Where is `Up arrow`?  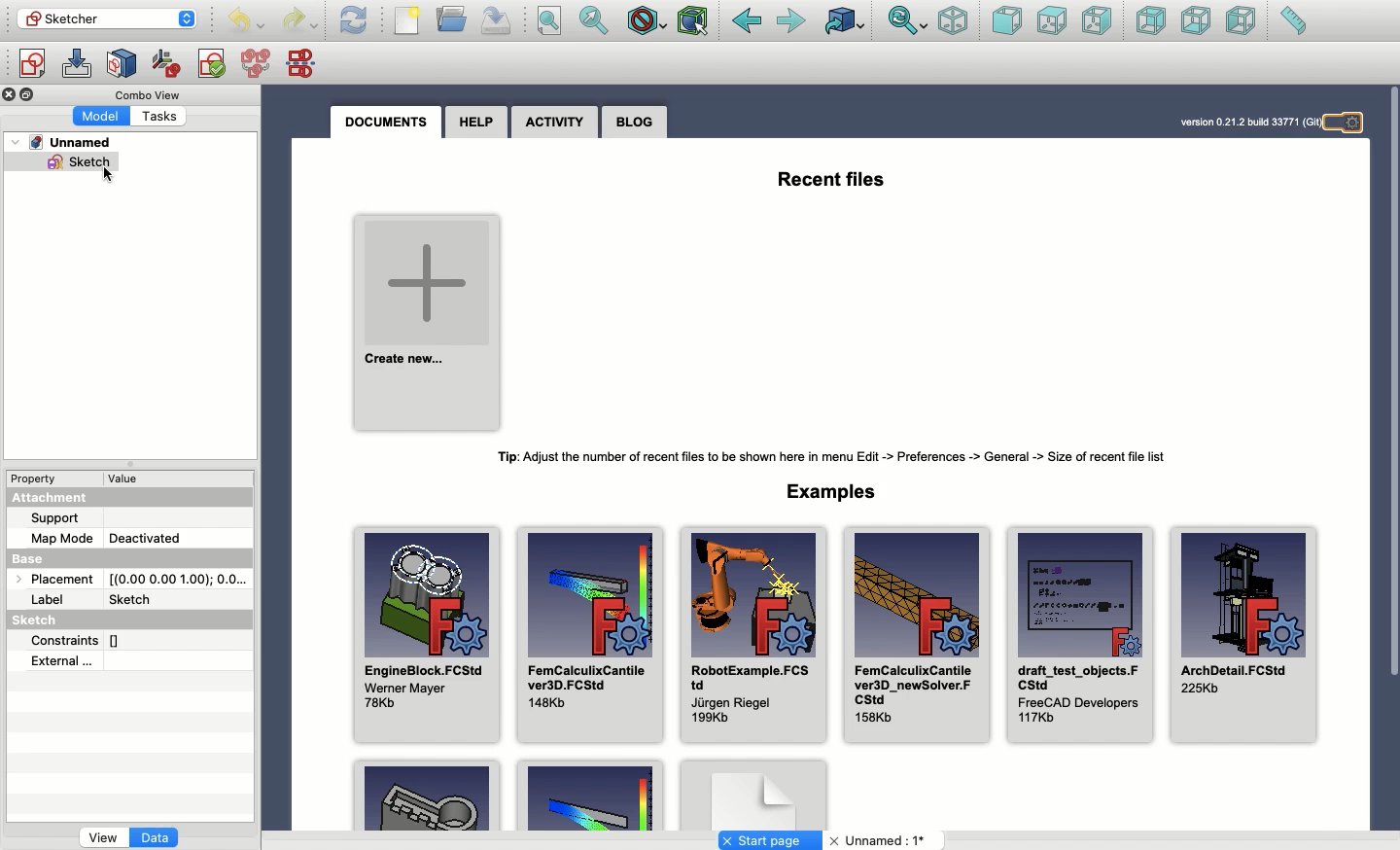
Up arrow is located at coordinates (191, 15).